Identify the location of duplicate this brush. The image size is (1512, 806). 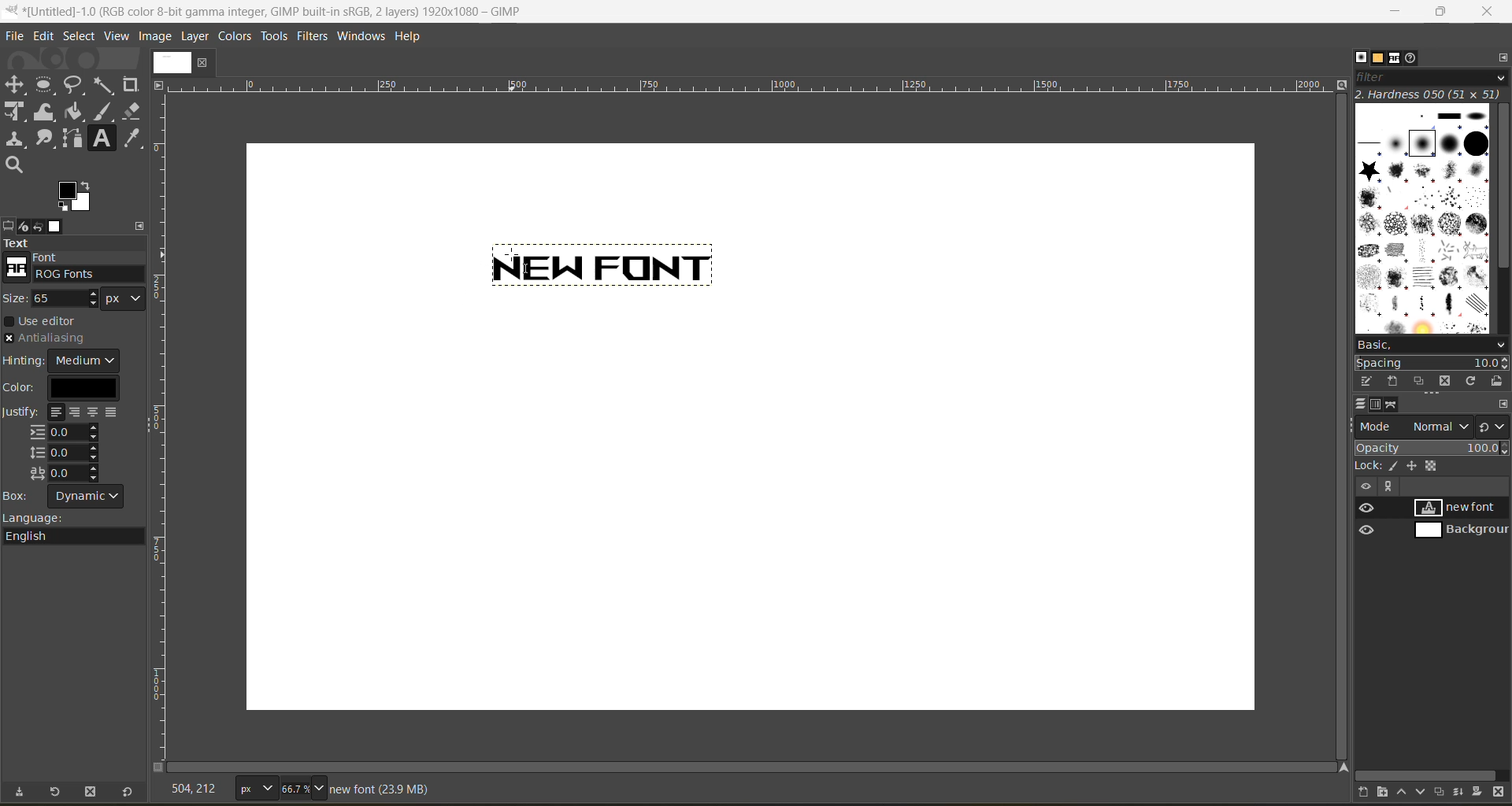
(1422, 381).